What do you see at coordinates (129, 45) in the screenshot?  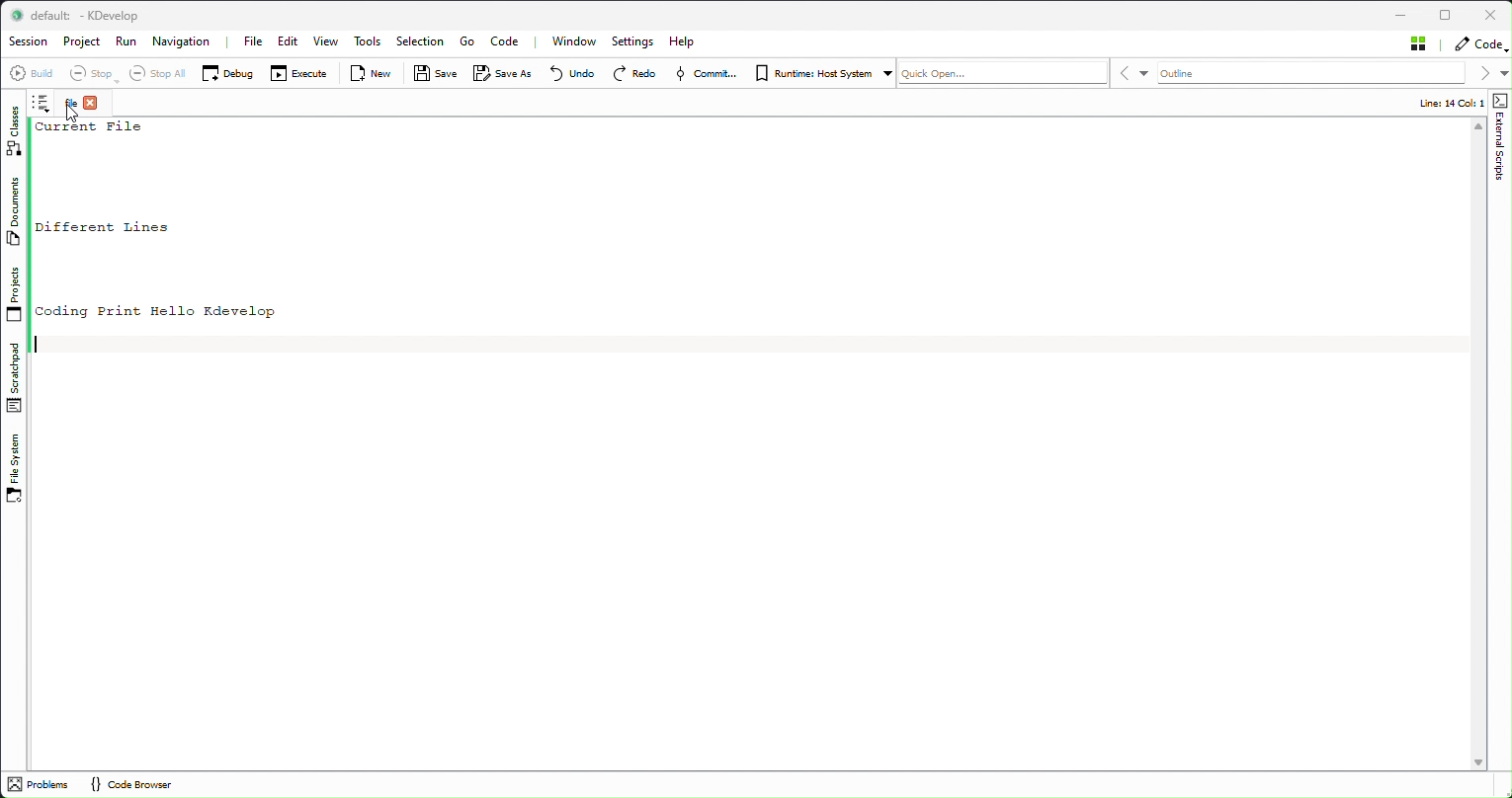 I see `Run` at bounding box center [129, 45].